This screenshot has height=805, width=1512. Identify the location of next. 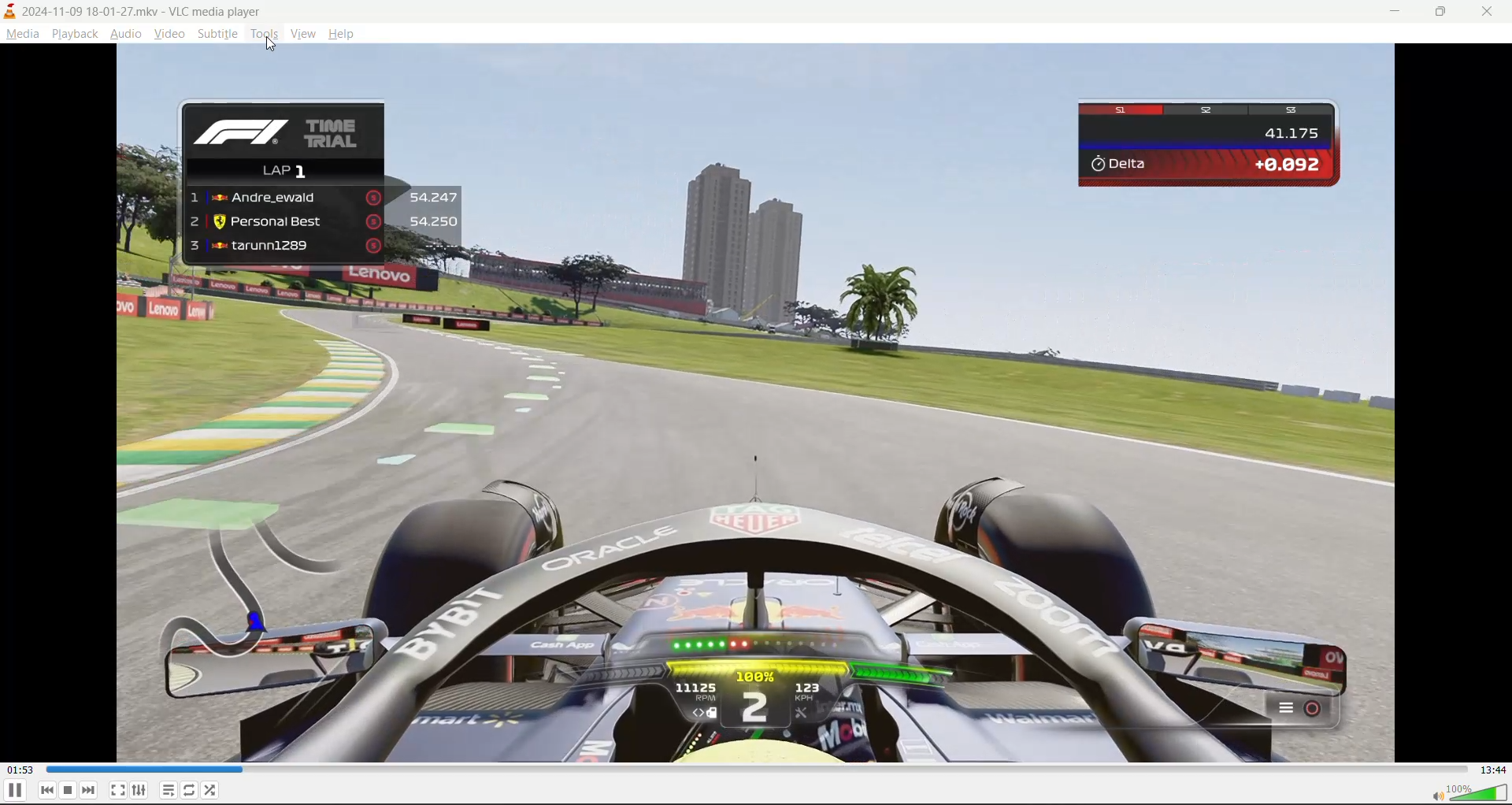
(90, 790).